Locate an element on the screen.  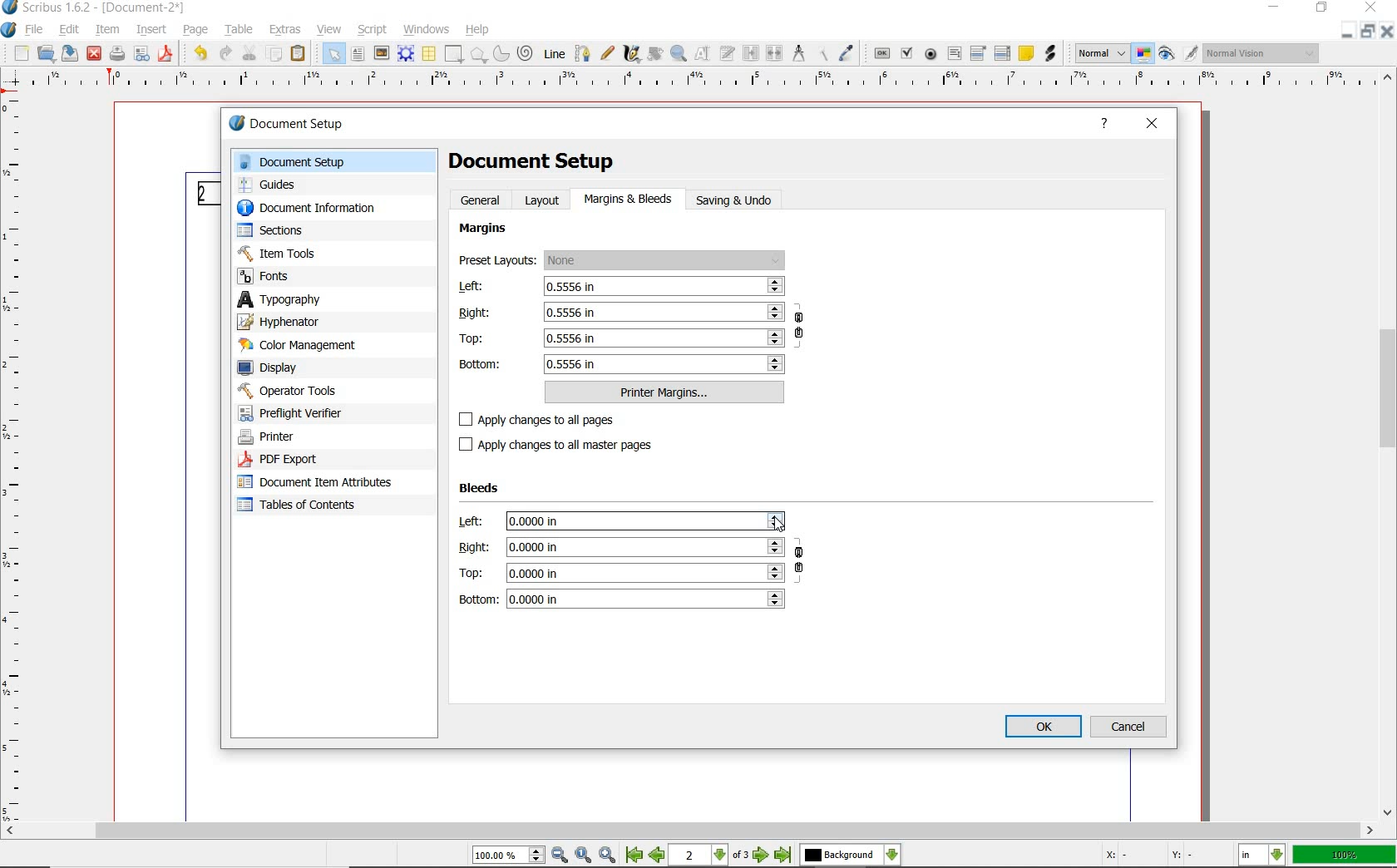
ensure all the margins have the same value is located at coordinates (800, 328).